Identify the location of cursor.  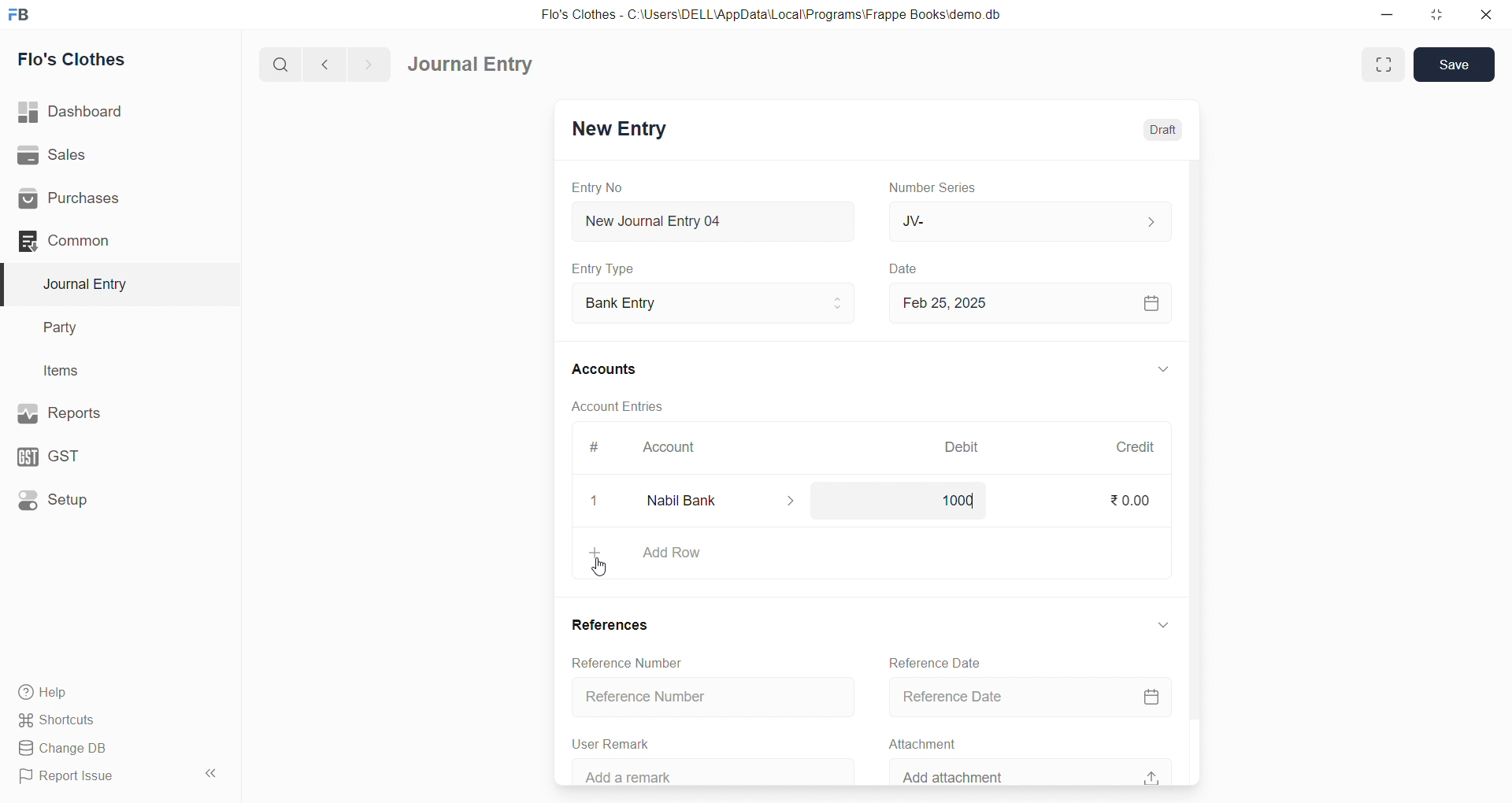
(602, 568).